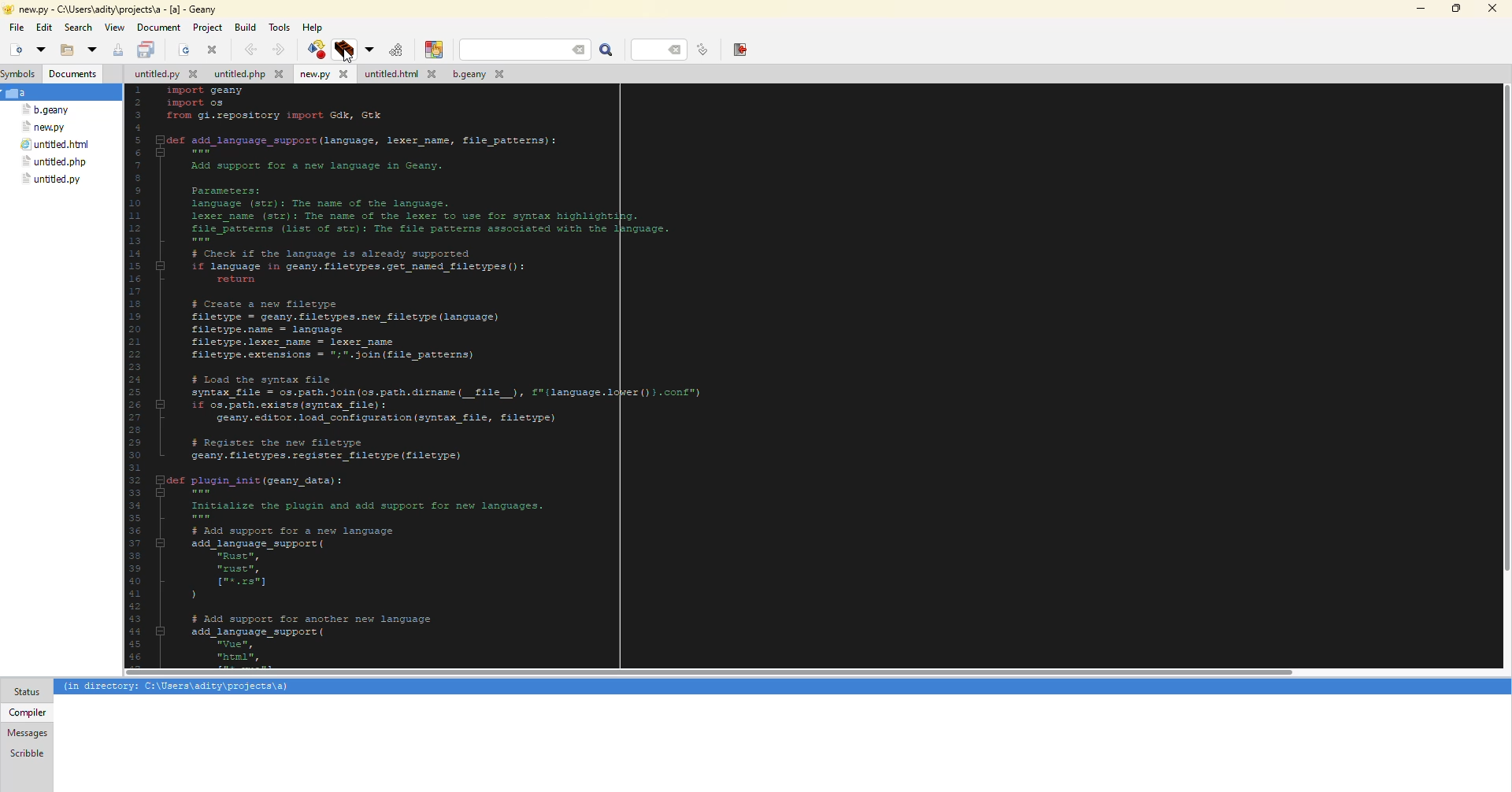 This screenshot has width=1512, height=792. I want to click on search, so click(547, 50).